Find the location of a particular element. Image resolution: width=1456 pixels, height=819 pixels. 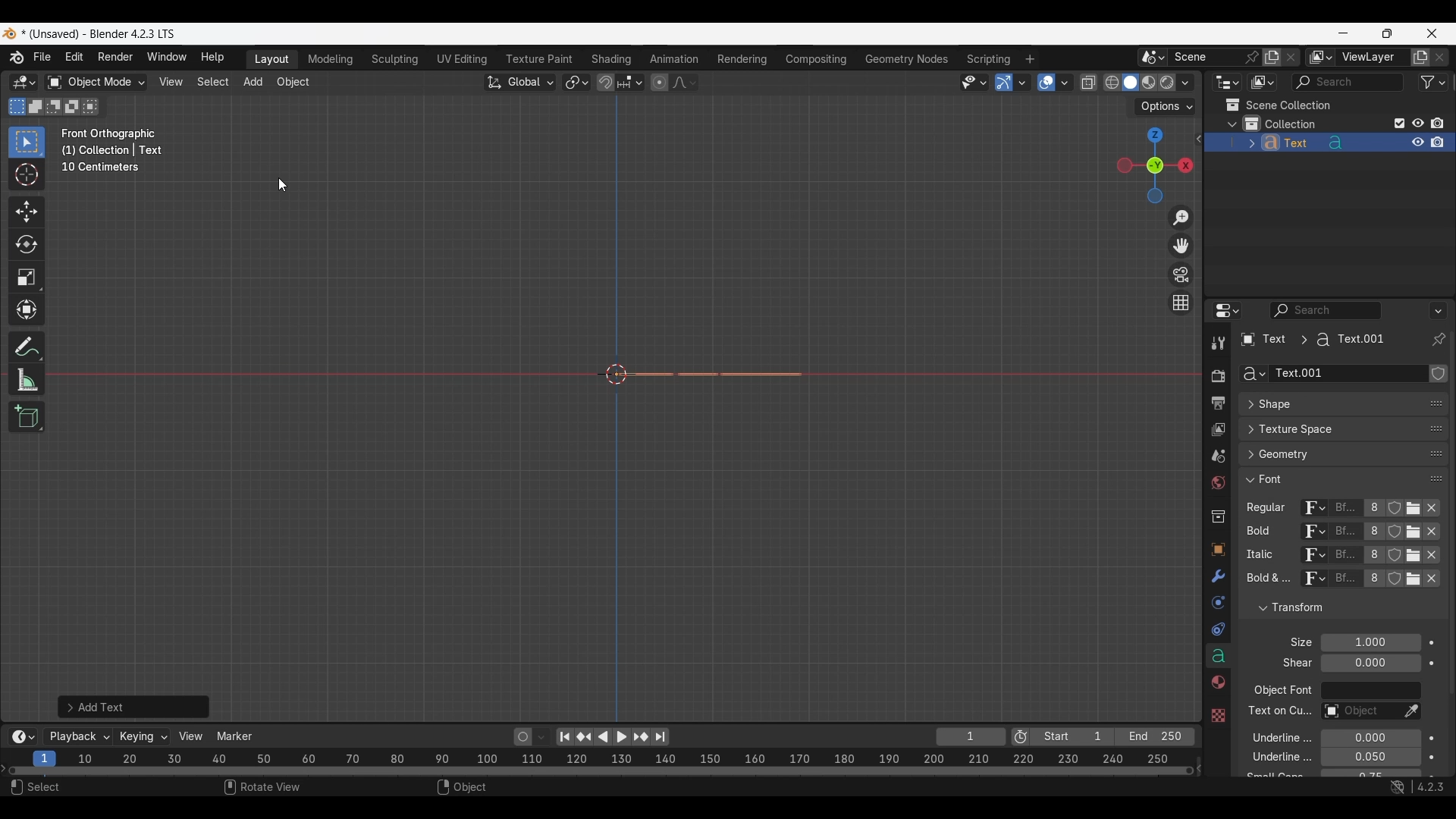

Add view layer is located at coordinates (1420, 58).